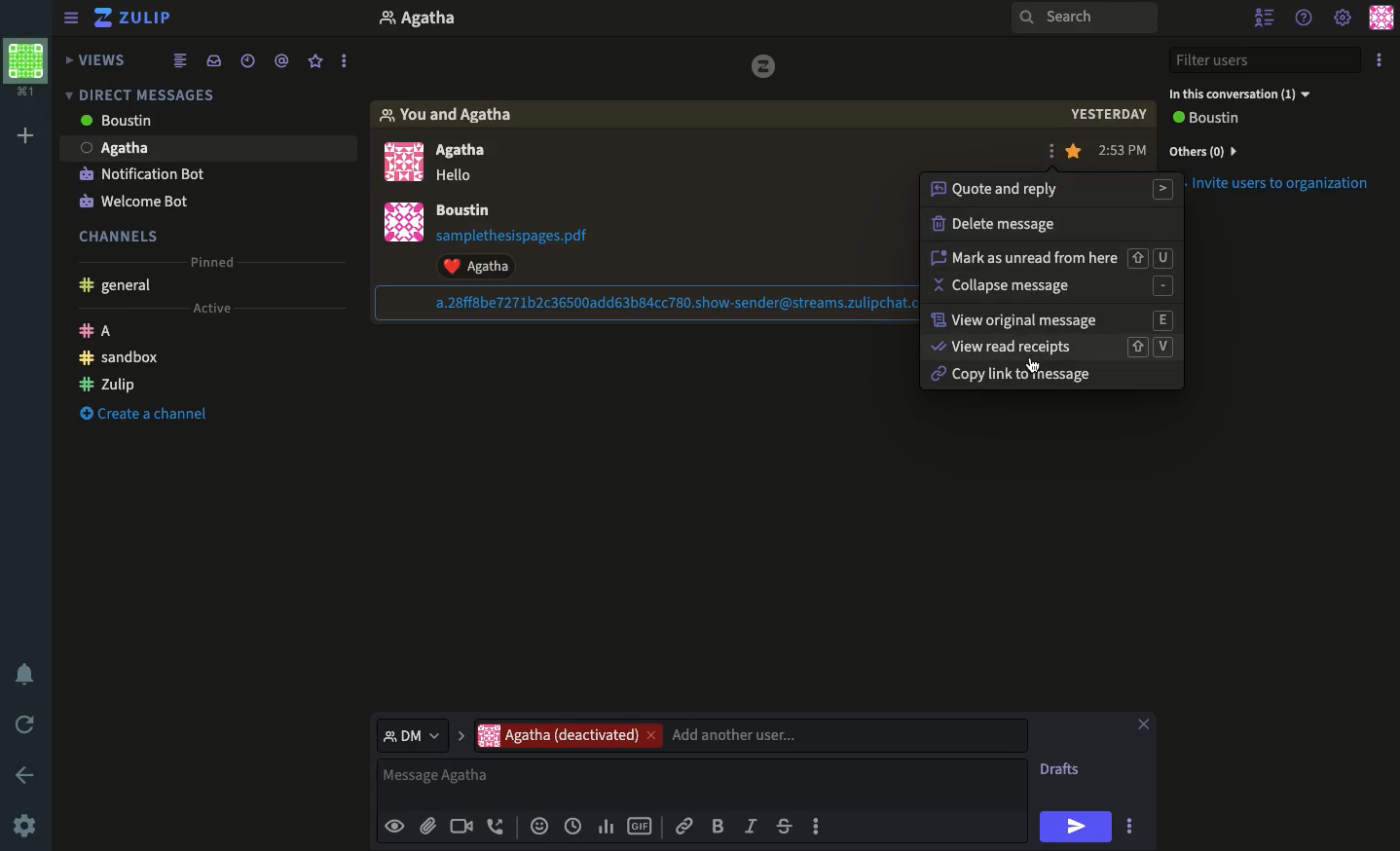  What do you see at coordinates (142, 176) in the screenshot?
I see `Notification bot` at bounding box center [142, 176].